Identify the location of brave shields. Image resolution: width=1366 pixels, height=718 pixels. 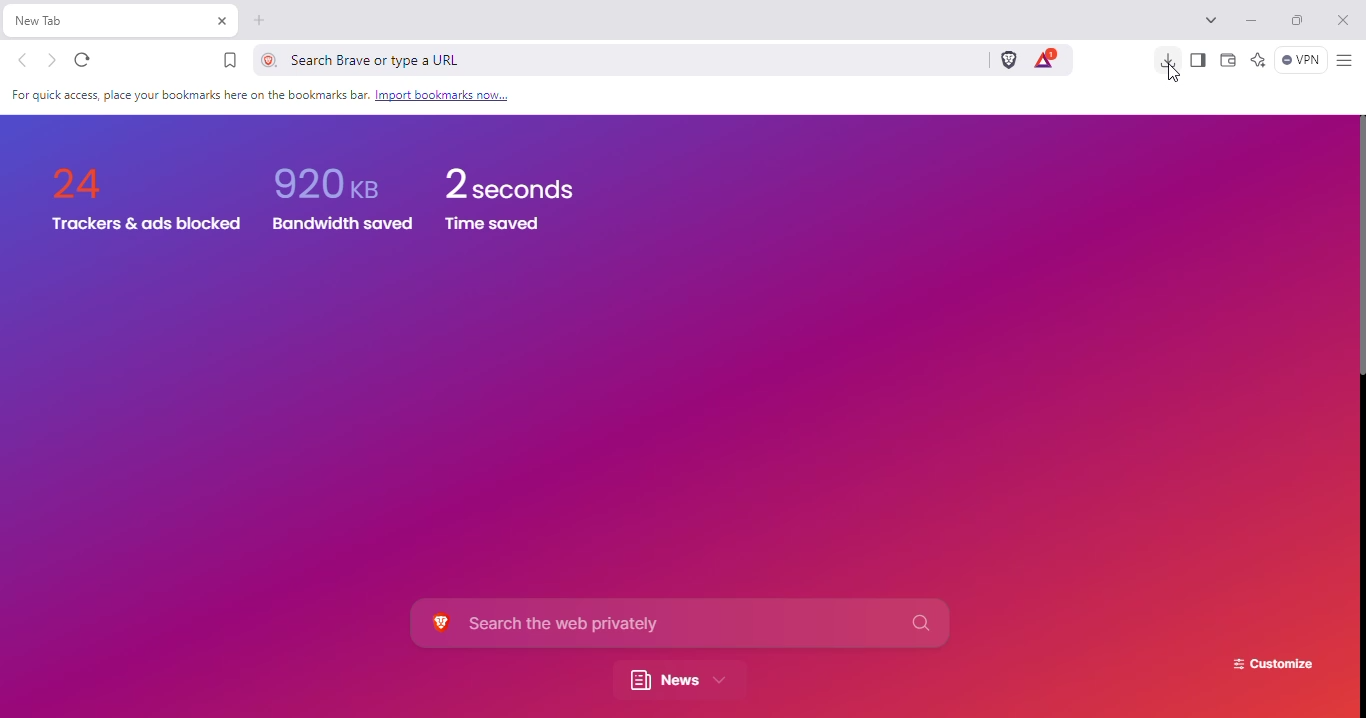
(1009, 59).